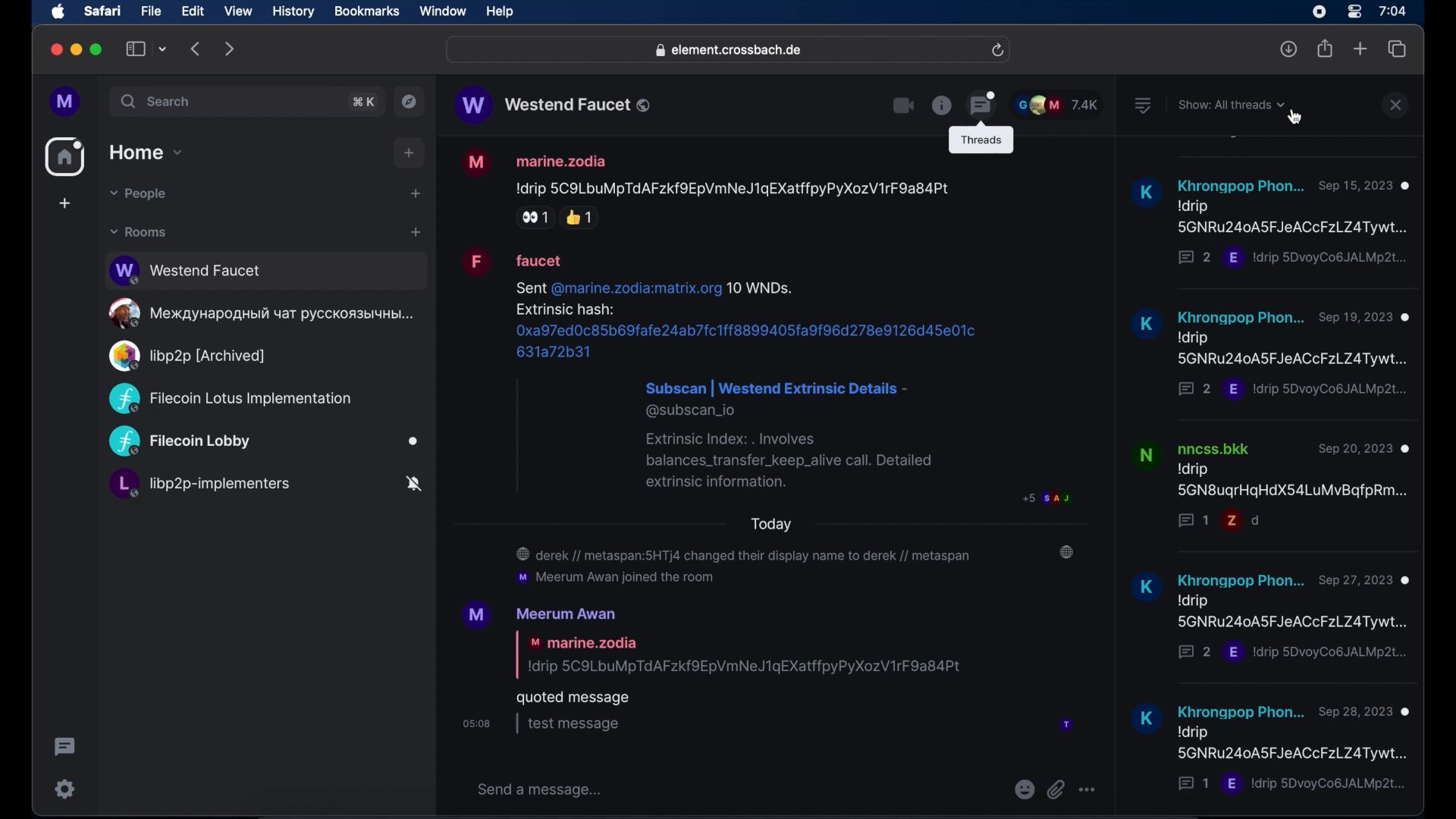 This screenshot has width=1456, height=819. What do you see at coordinates (417, 482) in the screenshot?
I see `notifications off` at bounding box center [417, 482].